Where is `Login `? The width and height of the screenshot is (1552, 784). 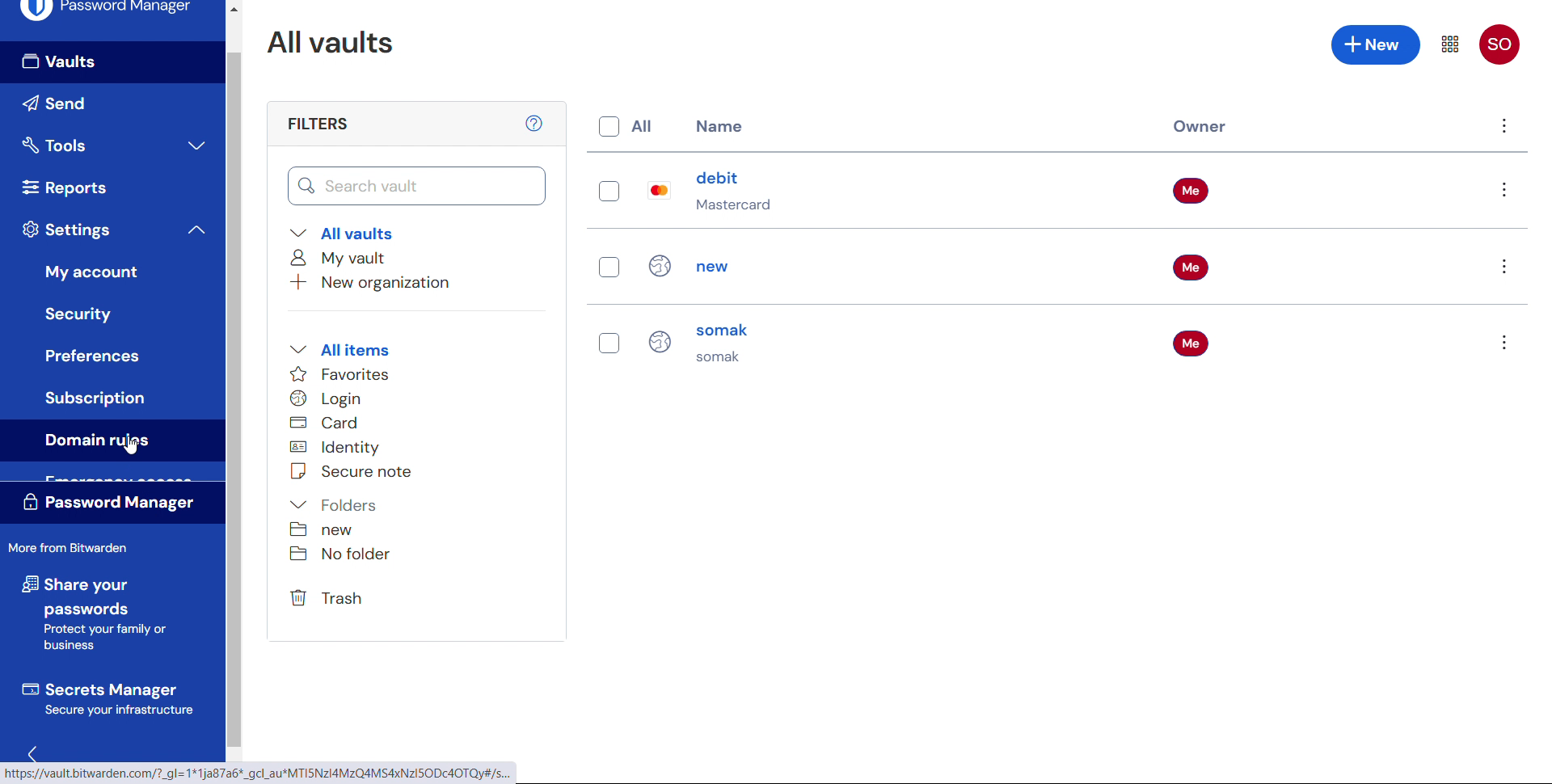 Login  is located at coordinates (327, 398).